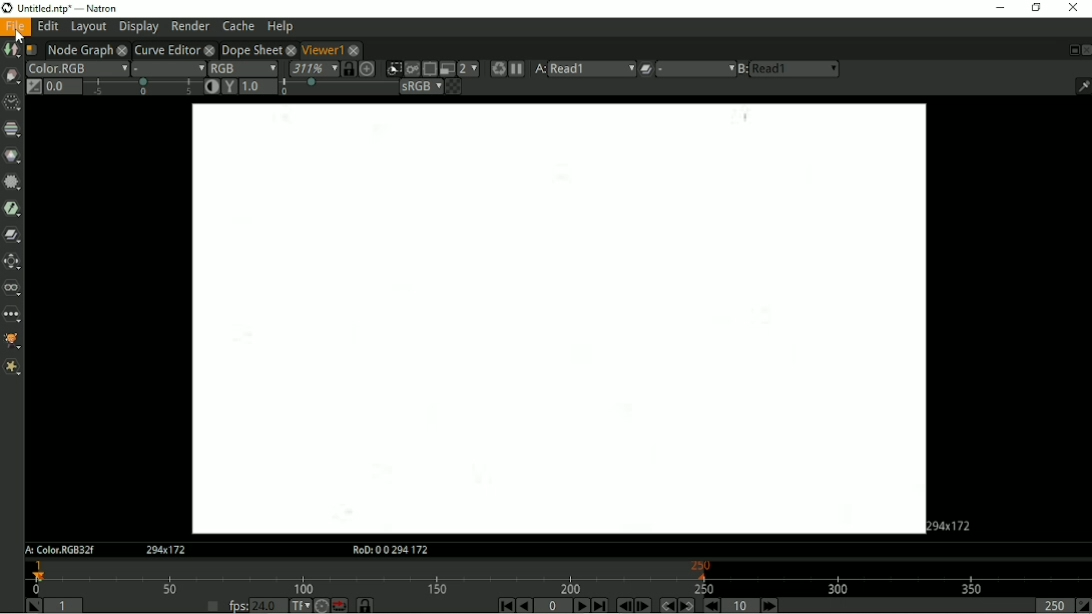 The image size is (1092, 614). I want to click on Next increment, so click(769, 606).